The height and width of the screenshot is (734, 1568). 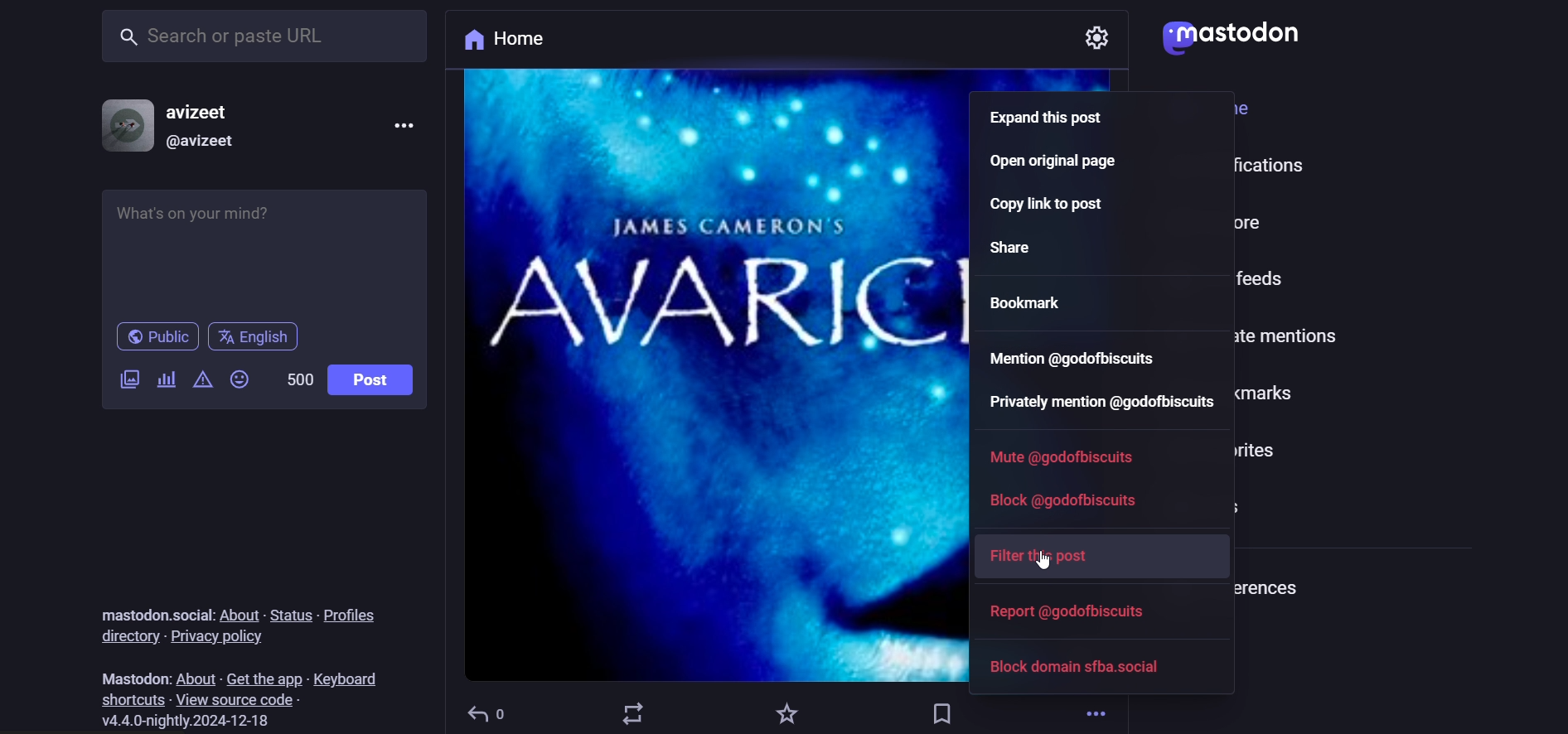 What do you see at coordinates (240, 699) in the screenshot?
I see `source code` at bounding box center [240, 699].